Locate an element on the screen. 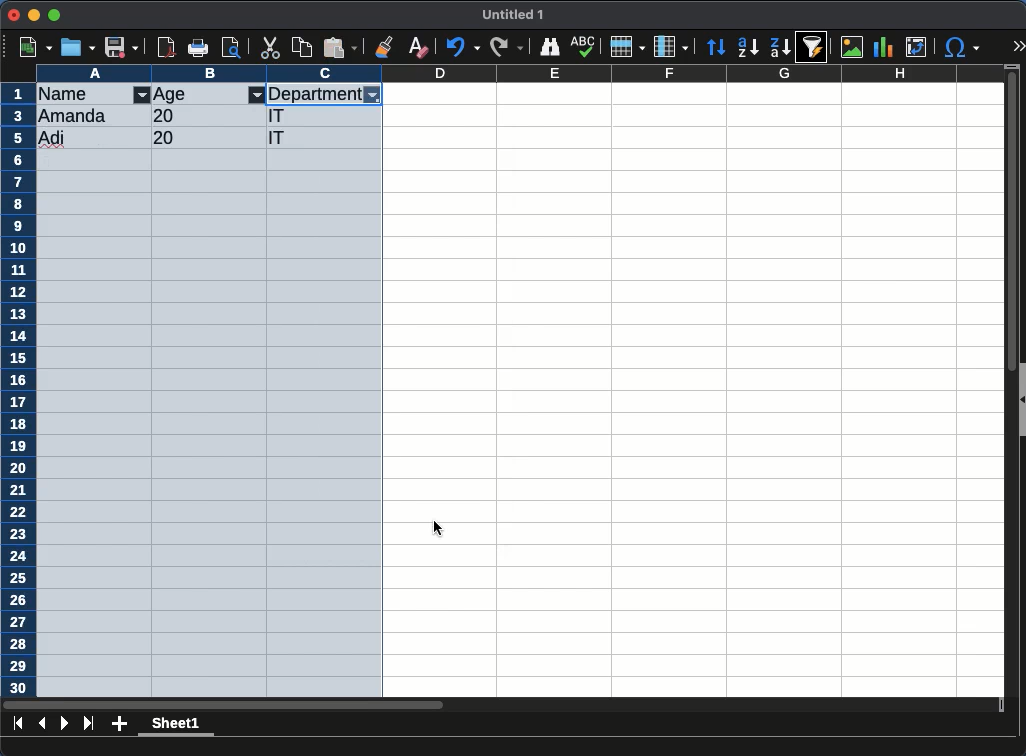 Image resolution: width=1026 pixels, height=756 pixels. cut is located at coordinates (271, 47).